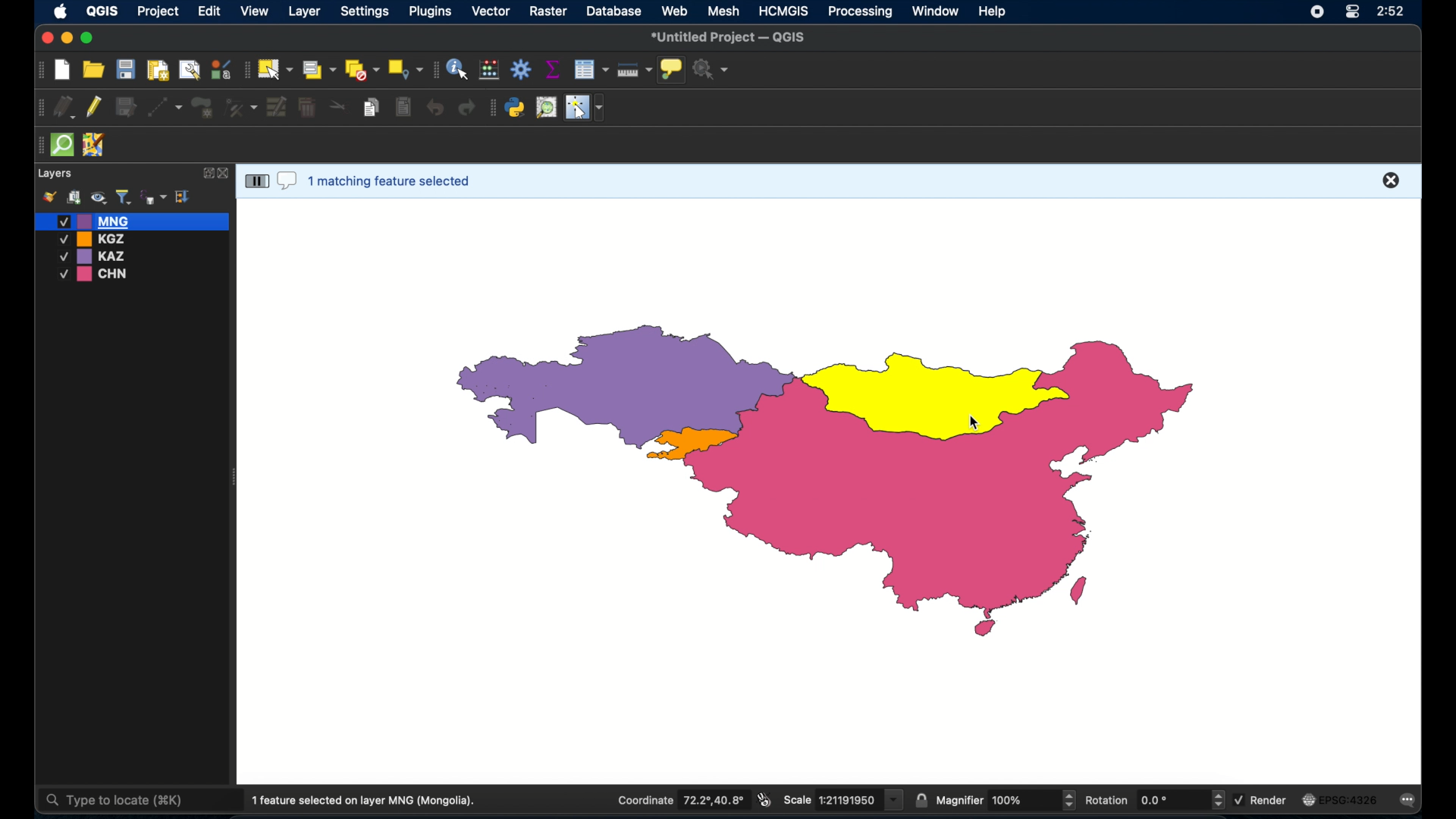 This screenshot has width=1456, height=819. What do you see at coordinates (403, 107) in the screenshot?
I see `delete selected` at bounding box center [403, 107].